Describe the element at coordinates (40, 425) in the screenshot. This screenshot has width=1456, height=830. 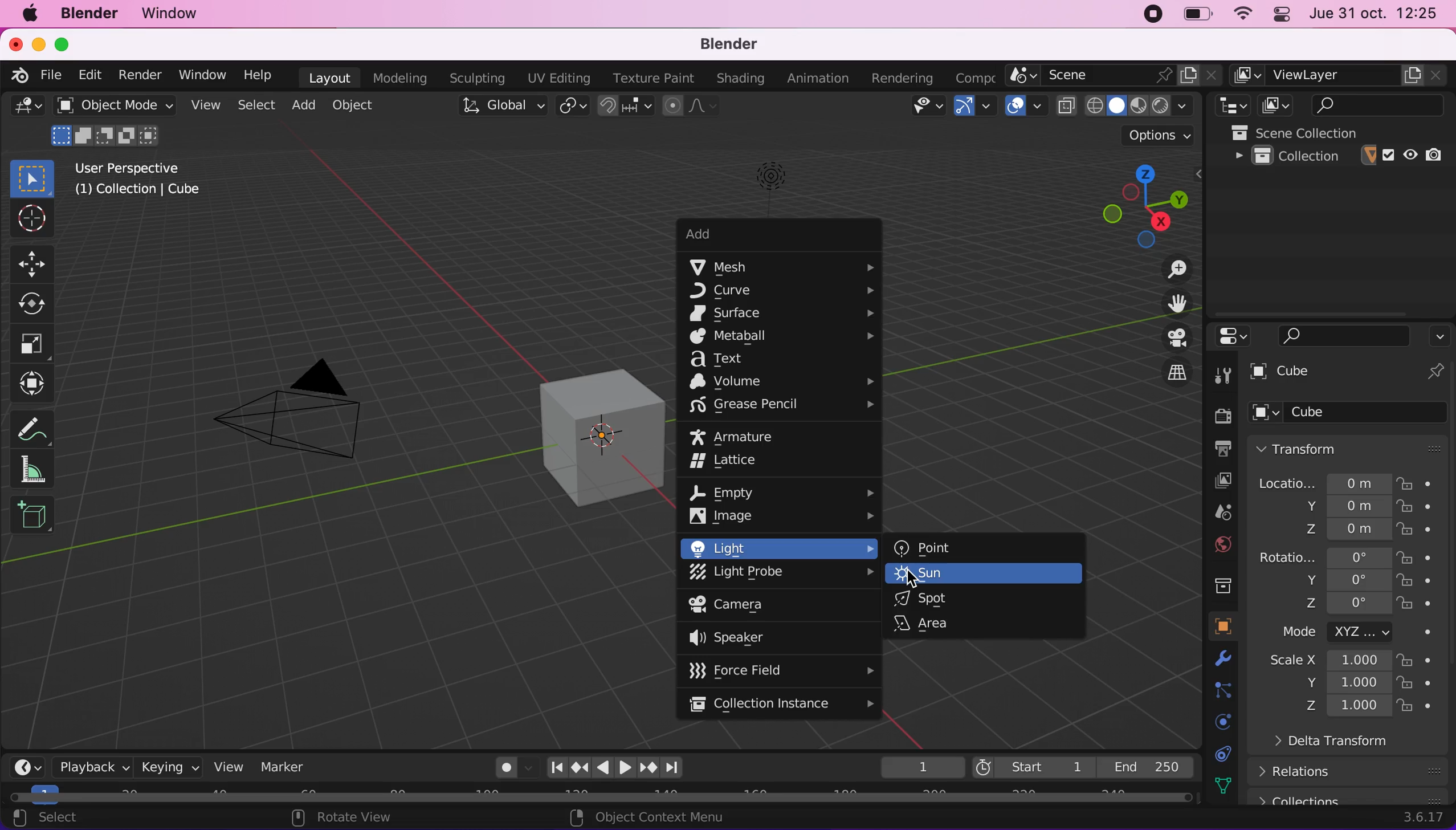
I see `measure` at that location.